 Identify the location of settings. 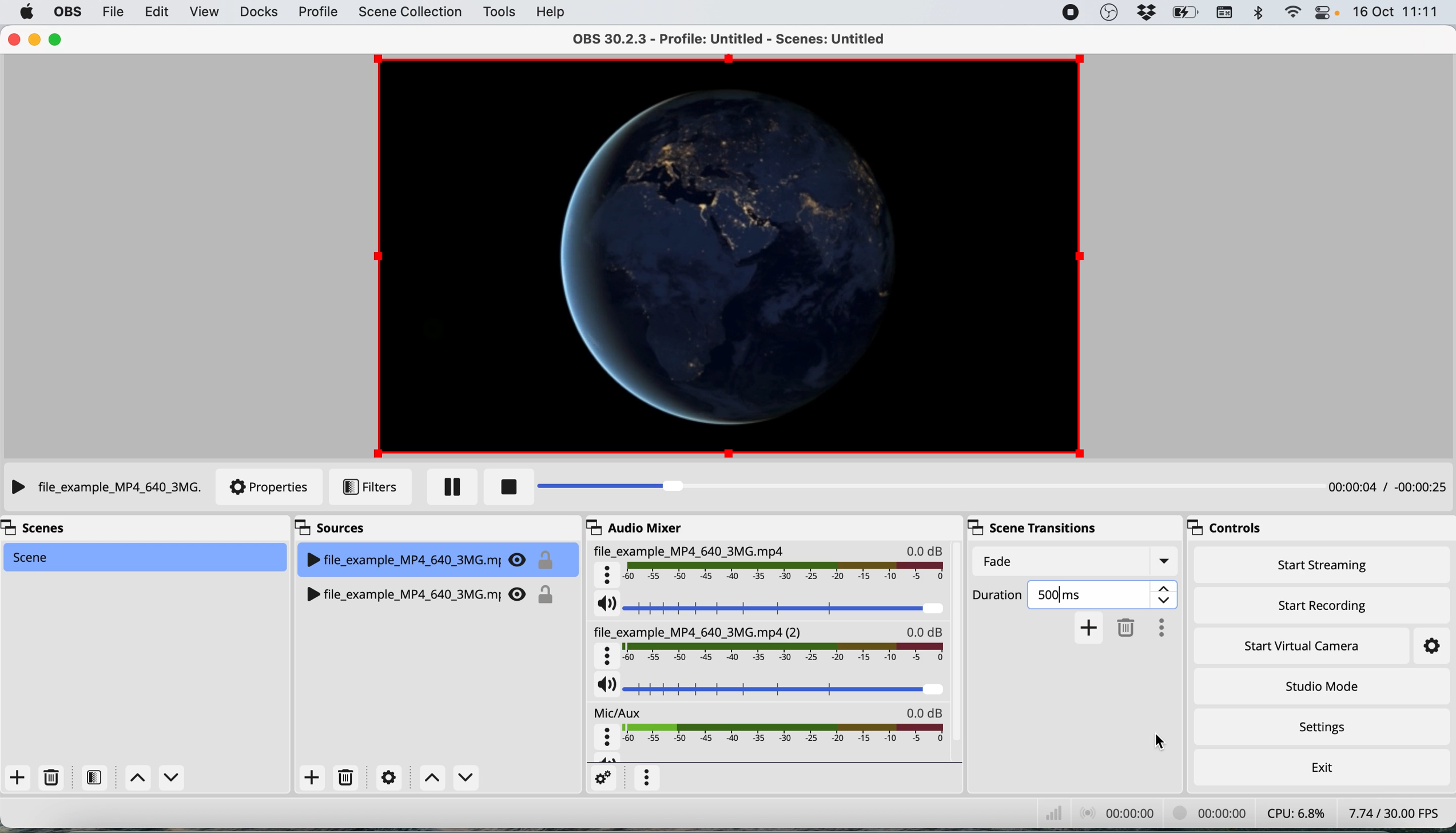
(1430, 645).